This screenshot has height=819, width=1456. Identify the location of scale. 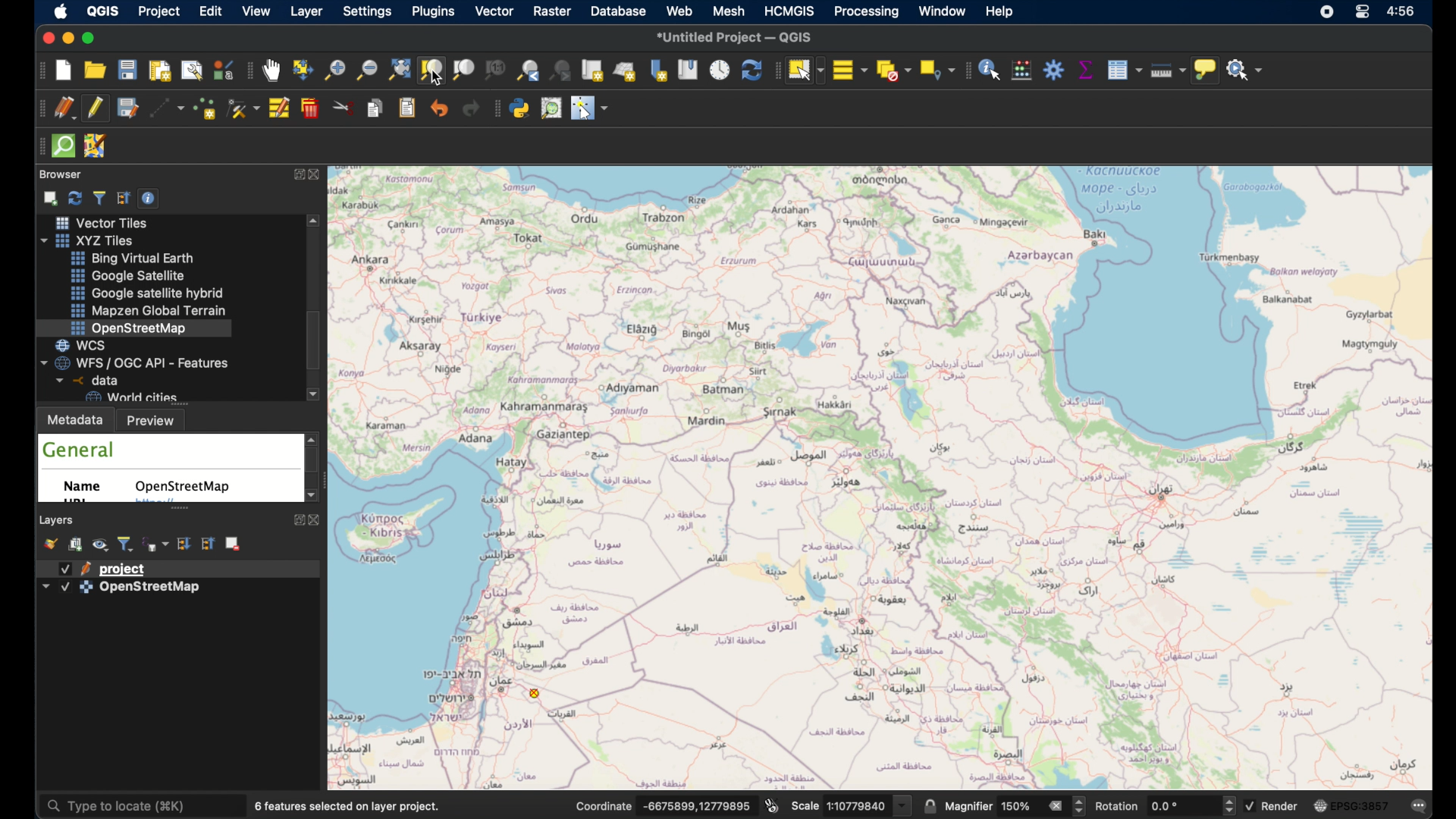
(804, 808).